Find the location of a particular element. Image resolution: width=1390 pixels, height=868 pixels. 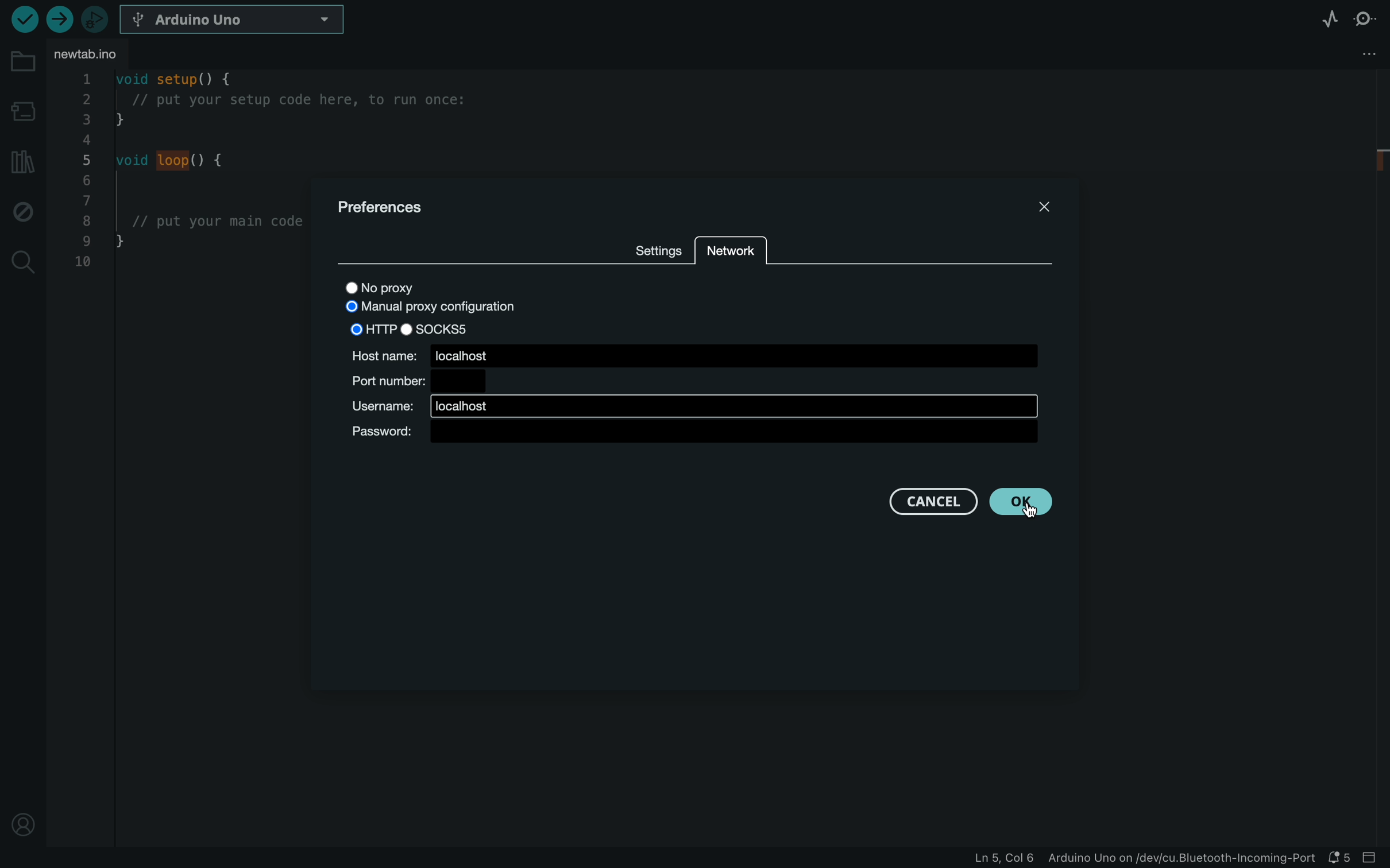

settings is located at coordinates (657, 248).